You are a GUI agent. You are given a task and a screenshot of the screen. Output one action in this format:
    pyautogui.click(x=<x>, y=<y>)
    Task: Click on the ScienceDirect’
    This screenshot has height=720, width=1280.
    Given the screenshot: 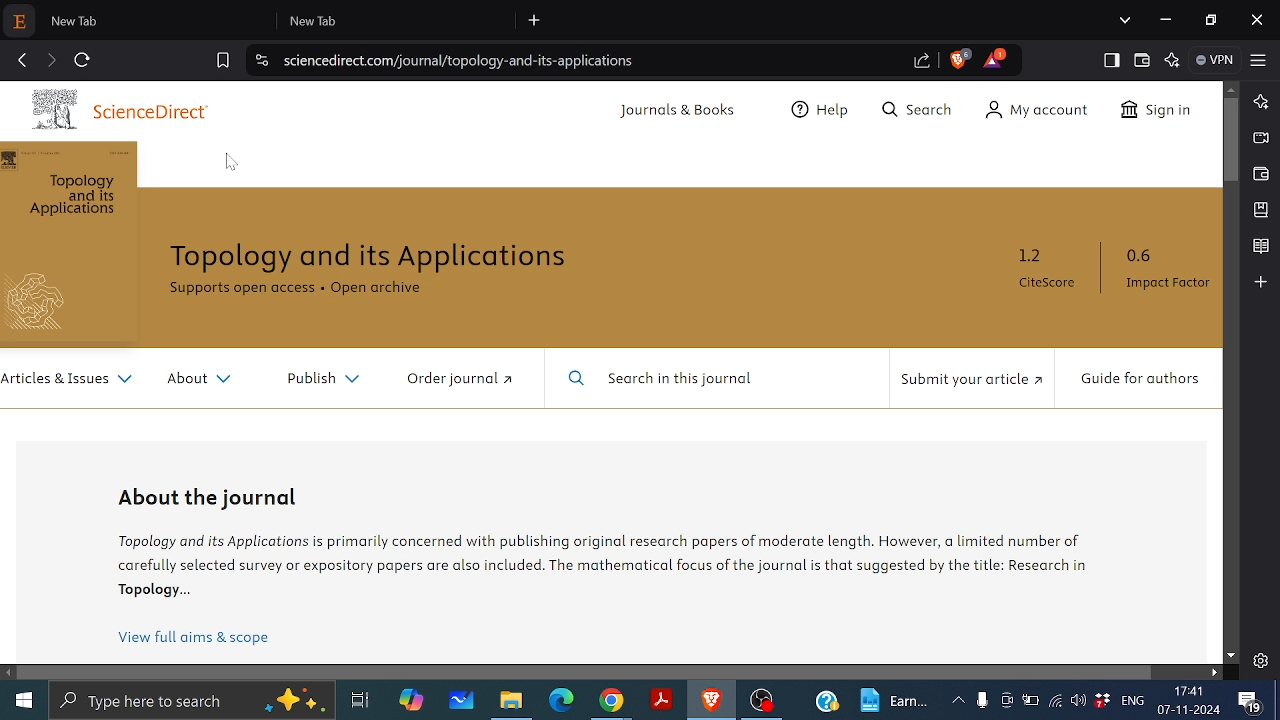 What is the action you would take?
    pyautogui.click(x=156, y=114)
    